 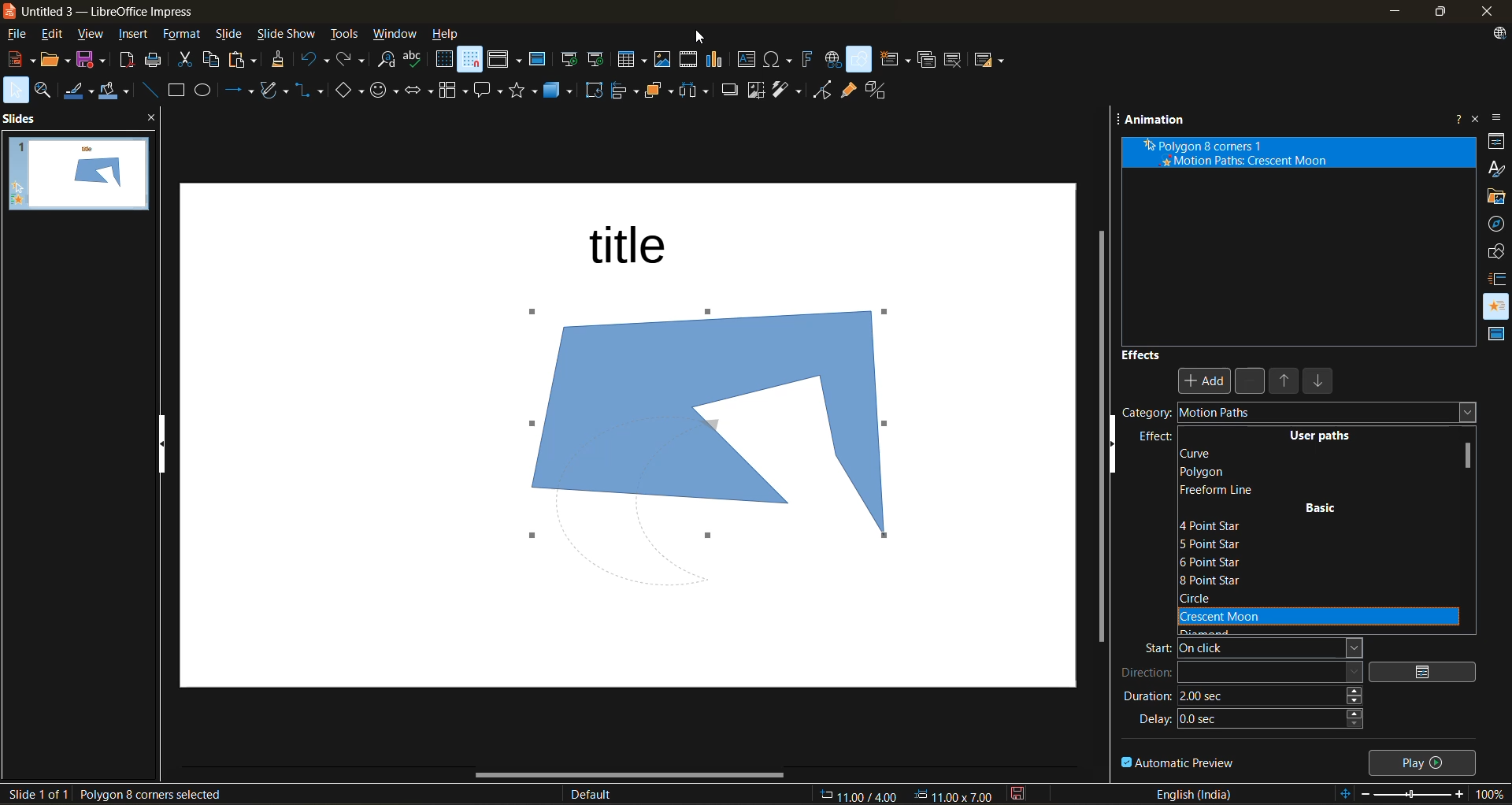 I want to click on arrange, so click(x=654, y=94).